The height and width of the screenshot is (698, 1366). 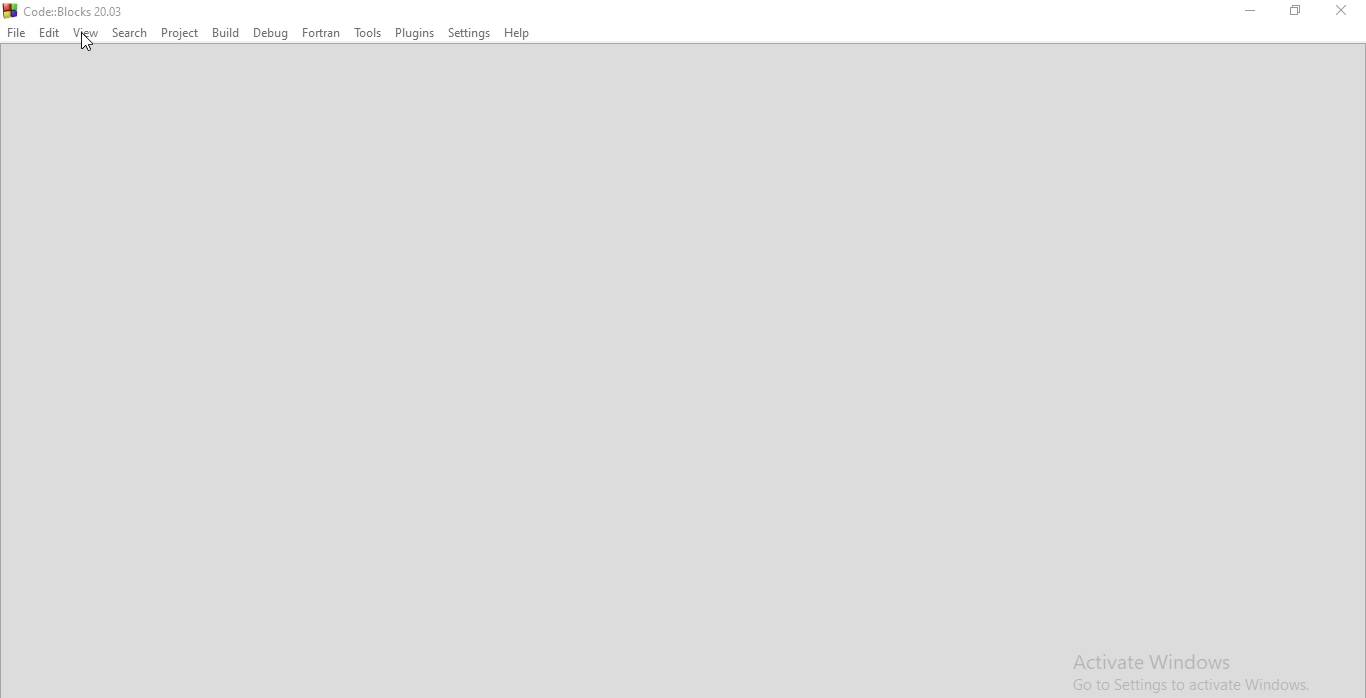 What do you see at coordinates (179, 32) in the screenshot?
I see `Project ` at bounding box center [179, 32].